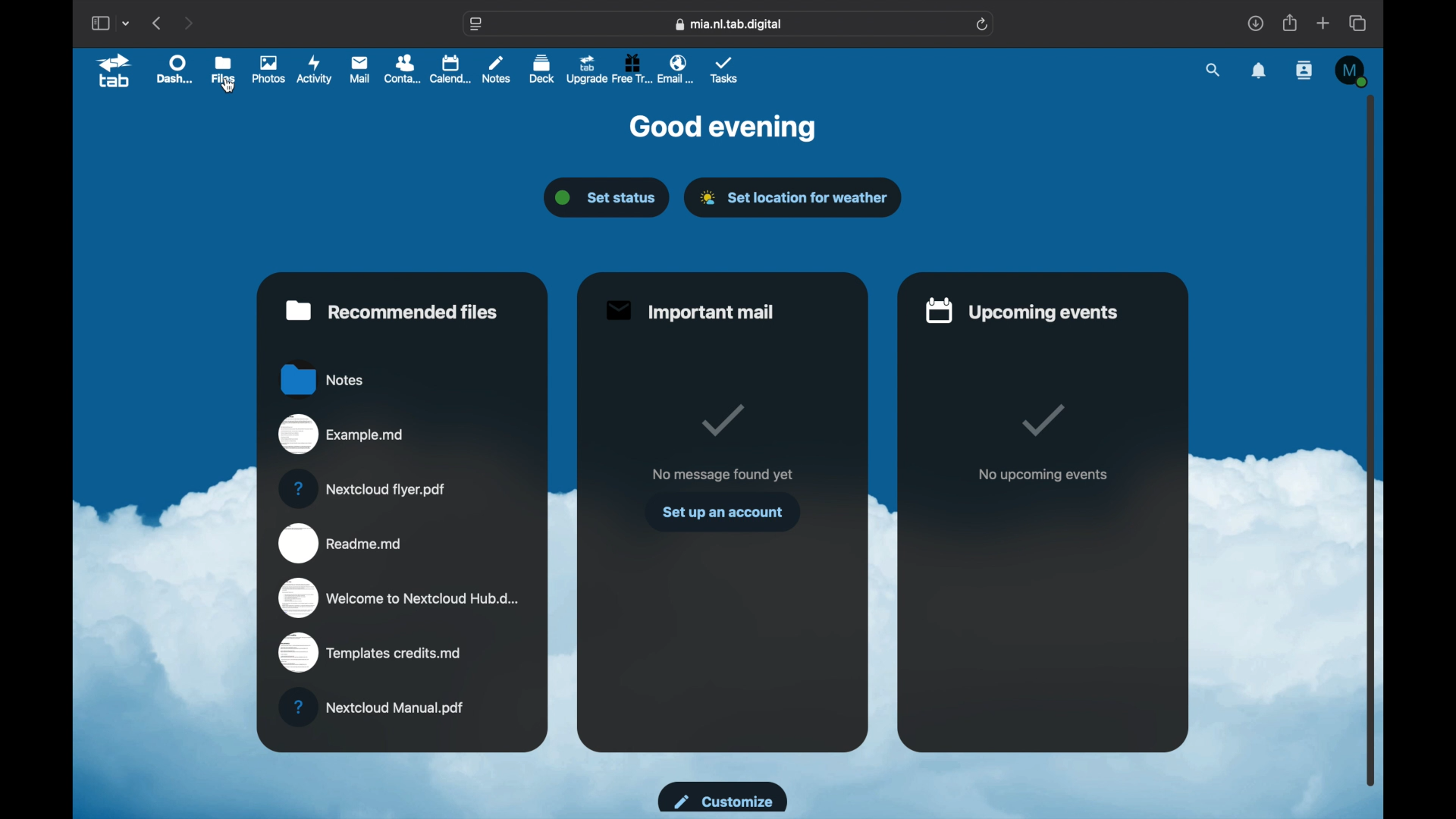 The image size is (1456, 819). I want to click on good evening, so click(723, 129).